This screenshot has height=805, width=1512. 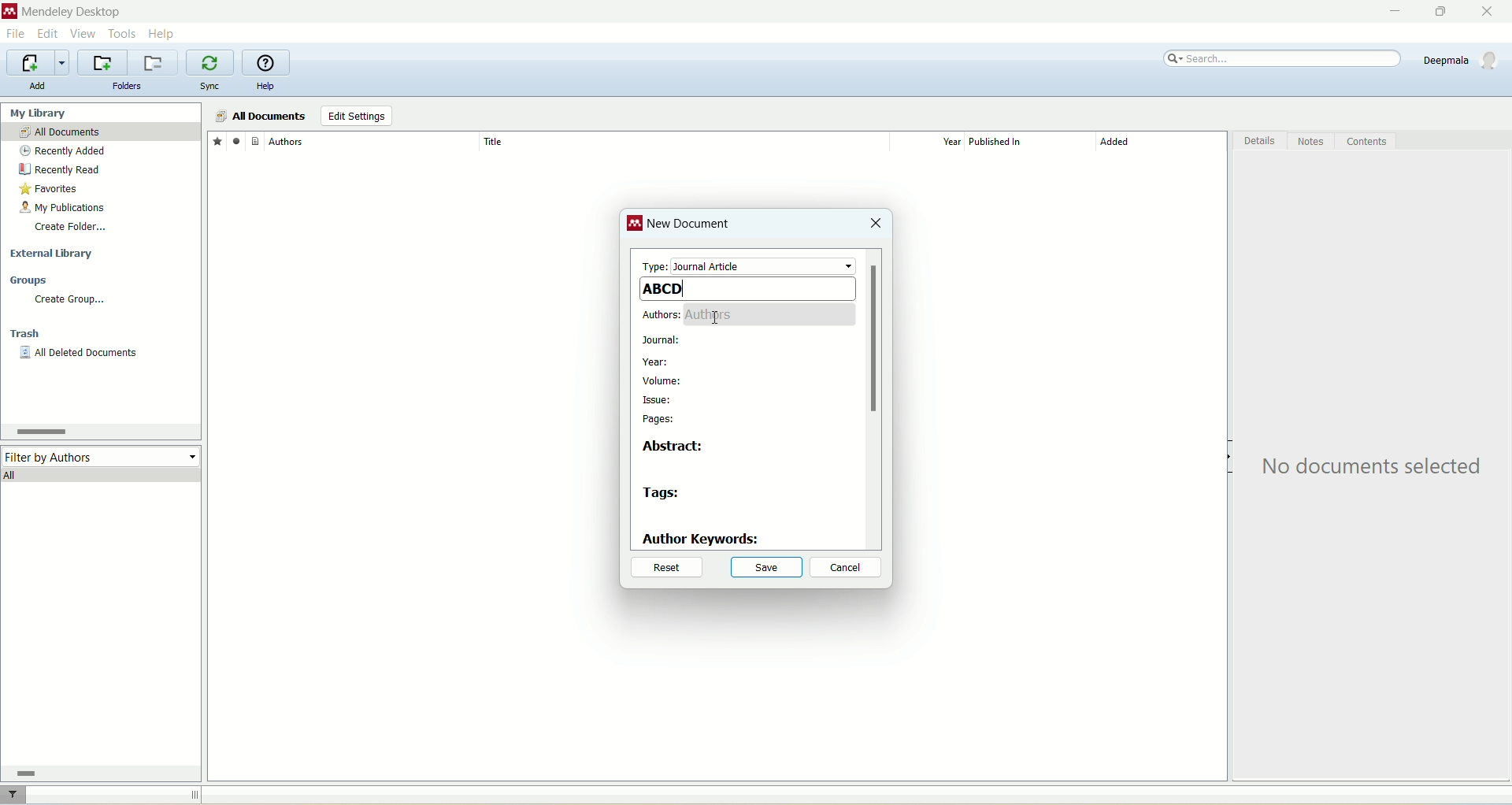 What do you see at coordinates (70, 226) in the screenshot?
I see `create folder` at bounding box center [70, 226].